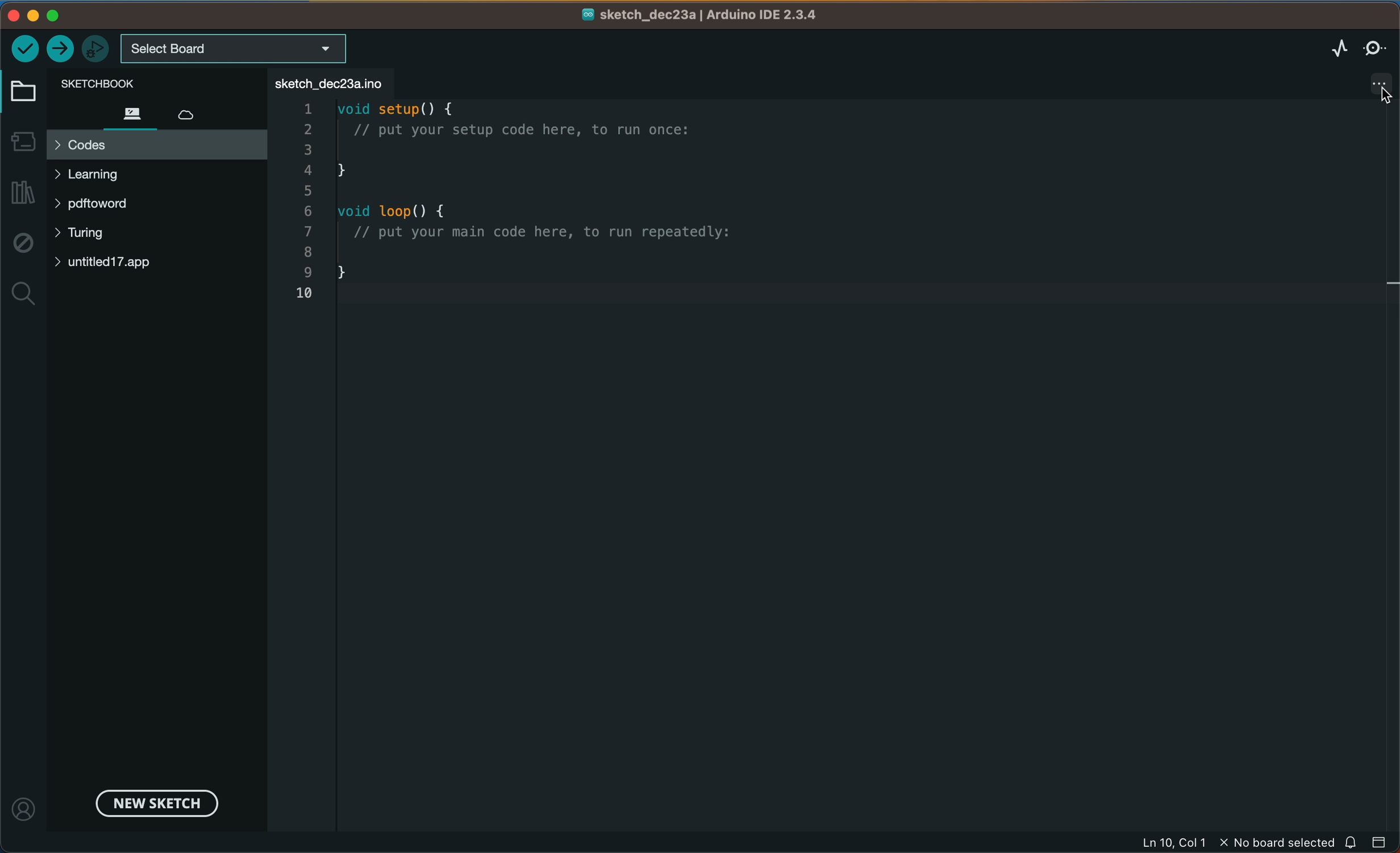  Describe the element at coordinates (1236, 843) in the screenshot. I see `file information` at that location.